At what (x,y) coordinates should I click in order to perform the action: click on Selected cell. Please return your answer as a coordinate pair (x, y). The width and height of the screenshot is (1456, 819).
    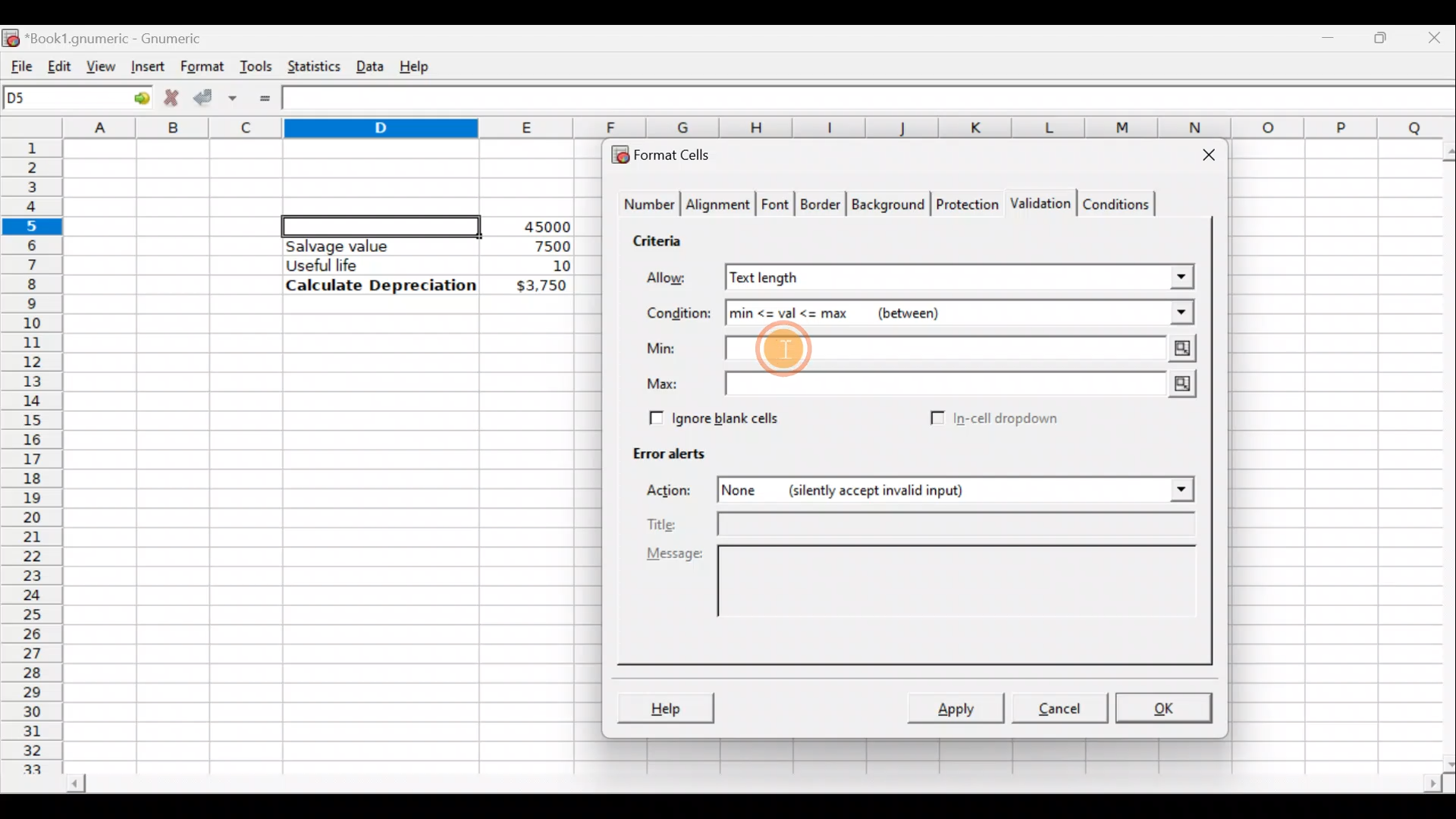
    Looking at the image, I should click on (381, 224).